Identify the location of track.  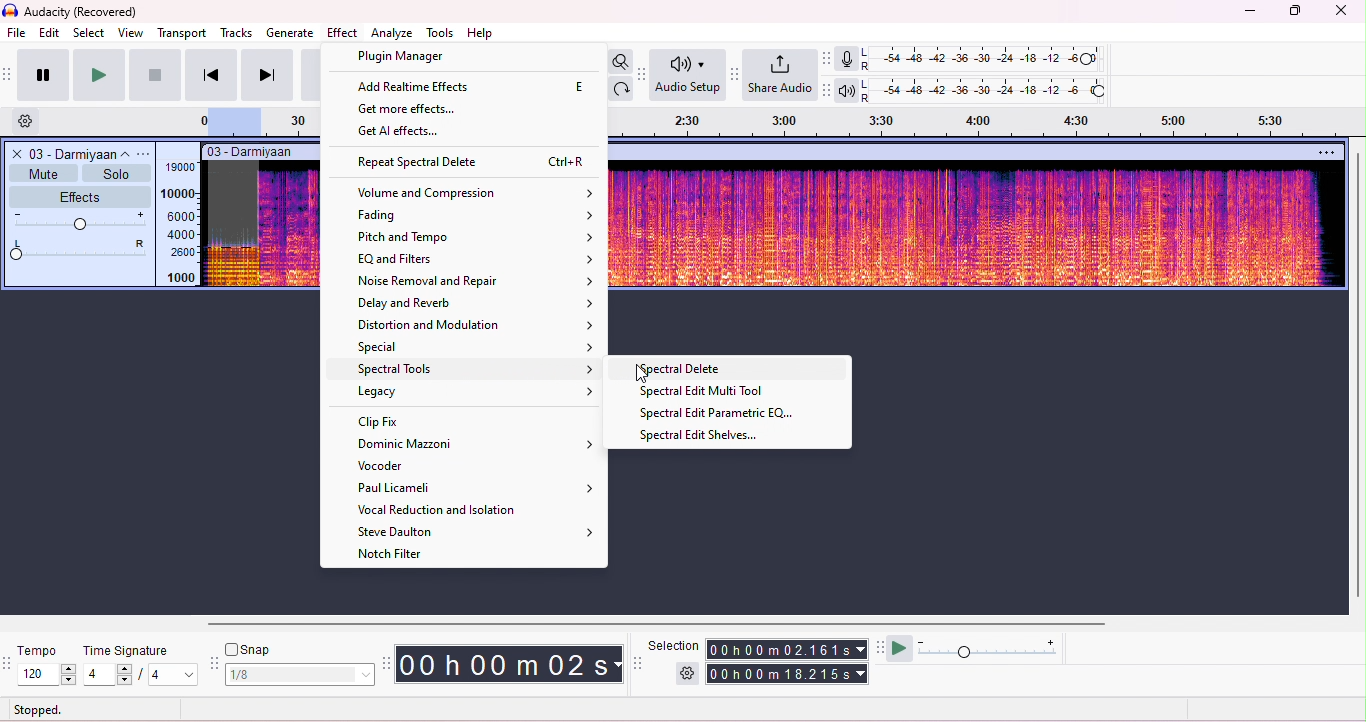
(78, 153).